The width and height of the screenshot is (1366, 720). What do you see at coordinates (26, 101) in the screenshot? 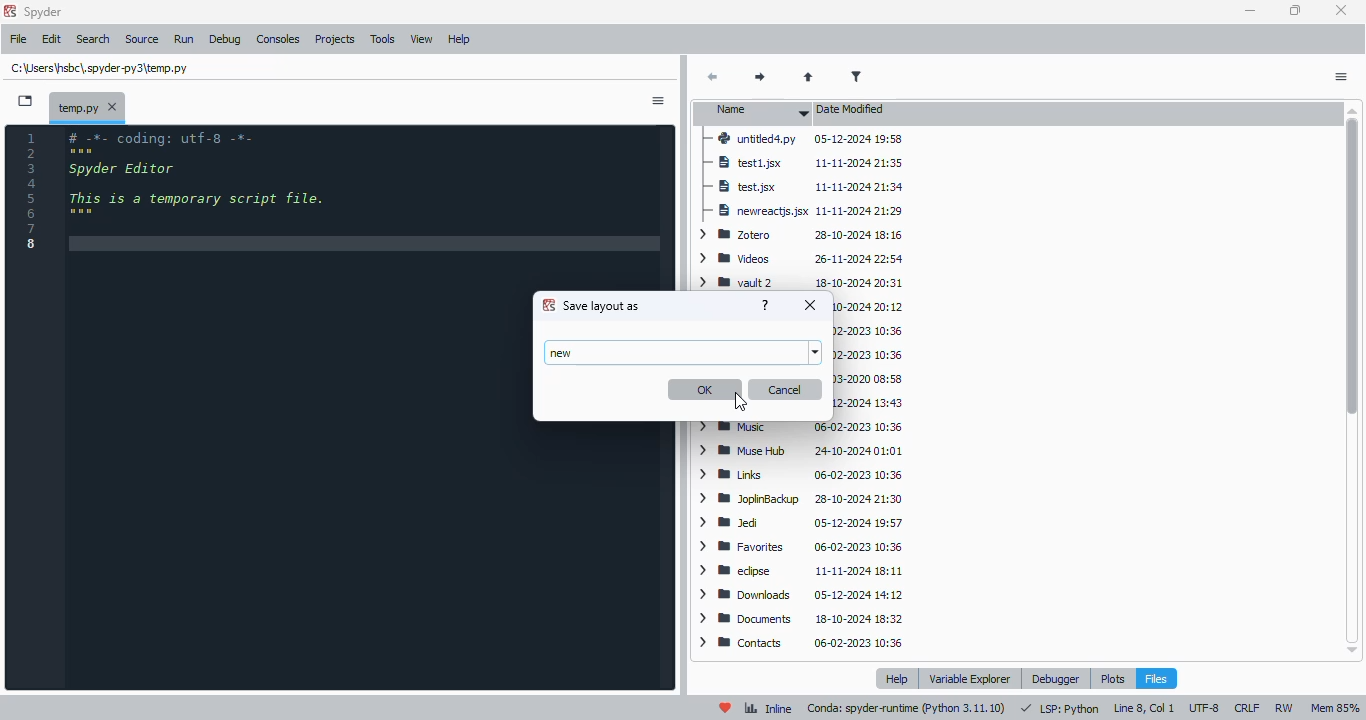
I see `browse tabs` at bounding box center [26, 101].